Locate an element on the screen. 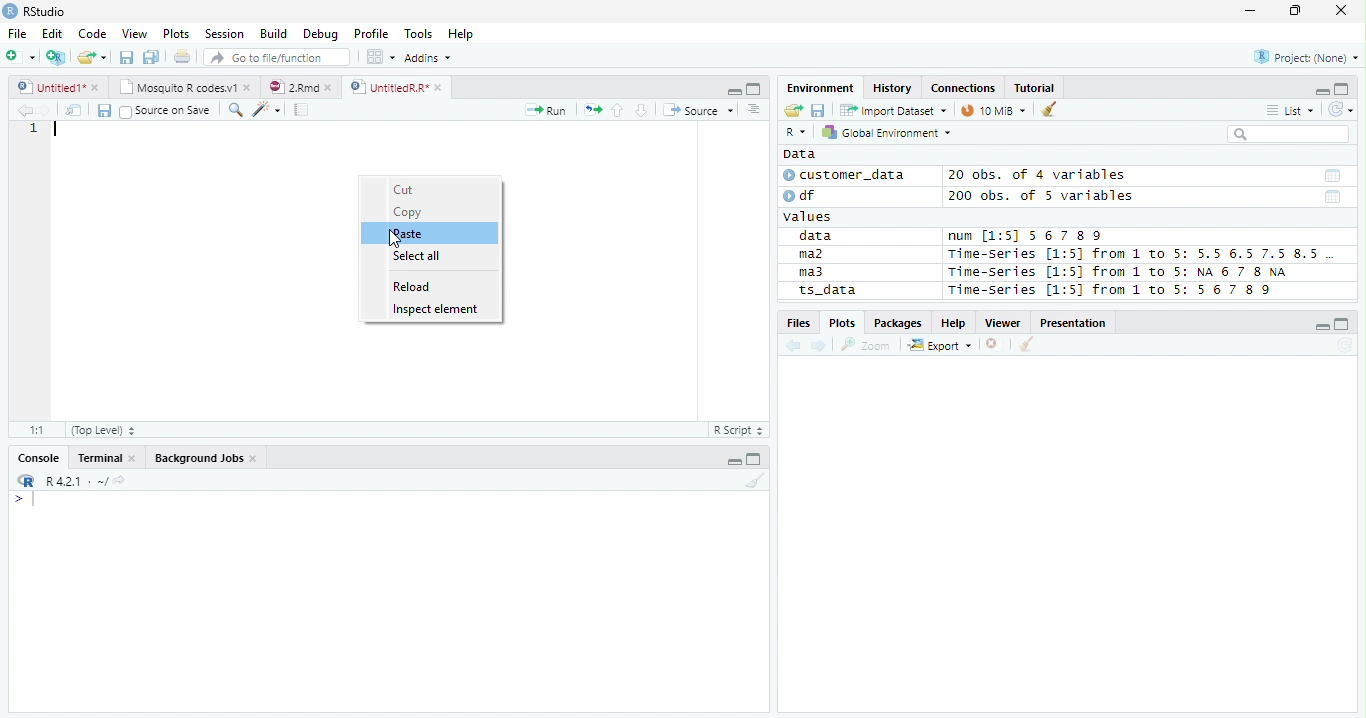 Image resolution: width=1366 pixels, height=718 pixels. Inspect element is located at coordinates (431, 309).